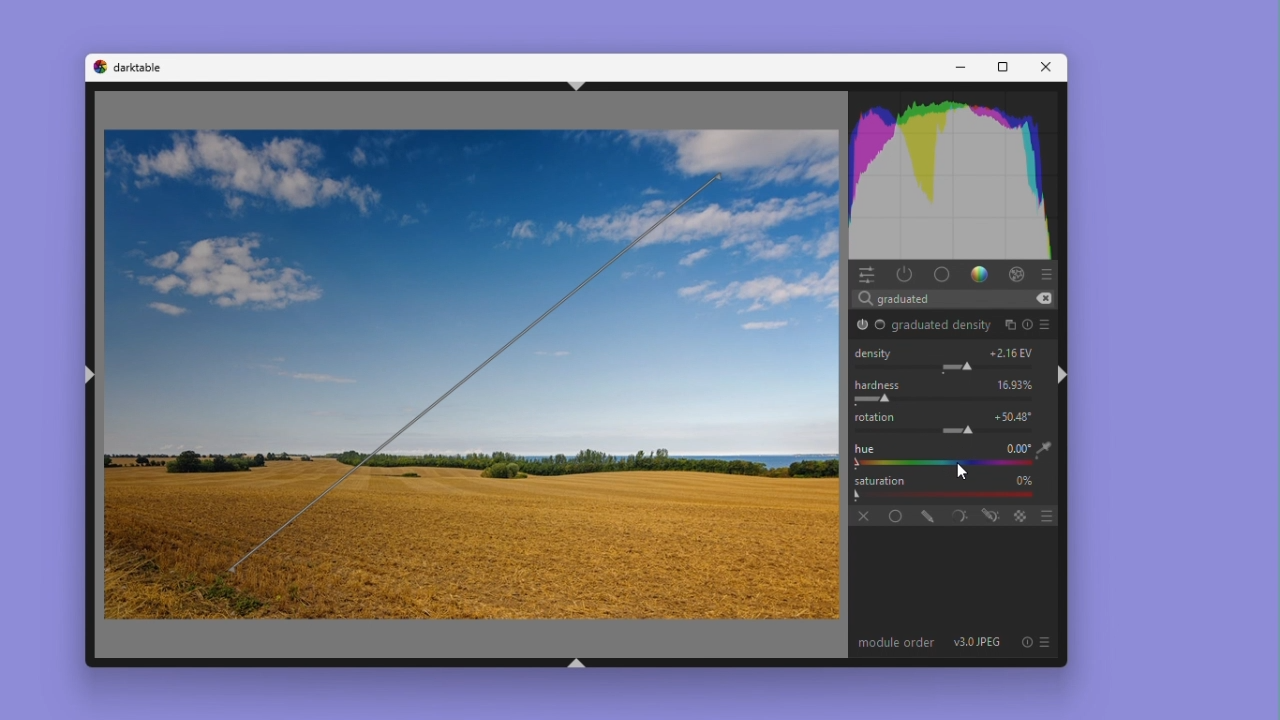 This screenshot has height=720, width=1280. Describe the element at coordinates (941, 327) in the screenshot. I see `graduated density` at that location.